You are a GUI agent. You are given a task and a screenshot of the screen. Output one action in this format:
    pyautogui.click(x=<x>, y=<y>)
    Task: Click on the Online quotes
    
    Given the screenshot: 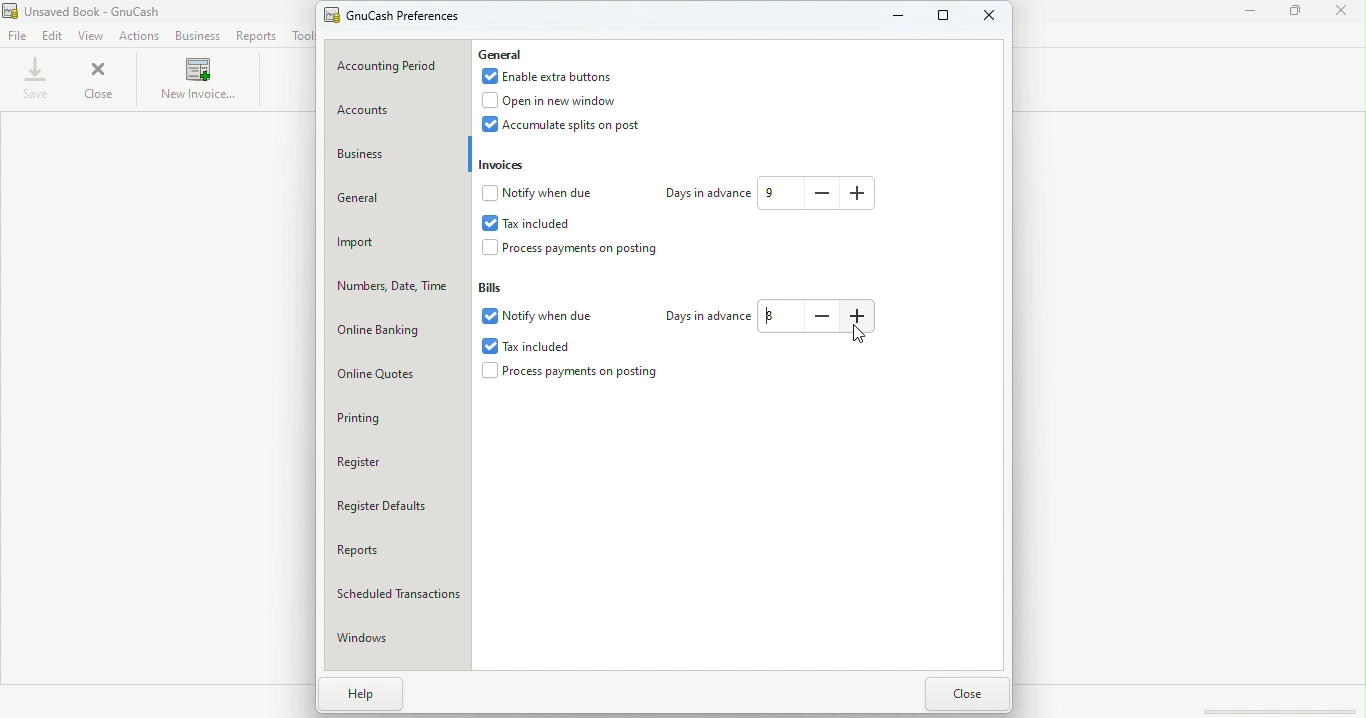 What is the action you would take?
    pyautogui.click(x=398, y=373)
    